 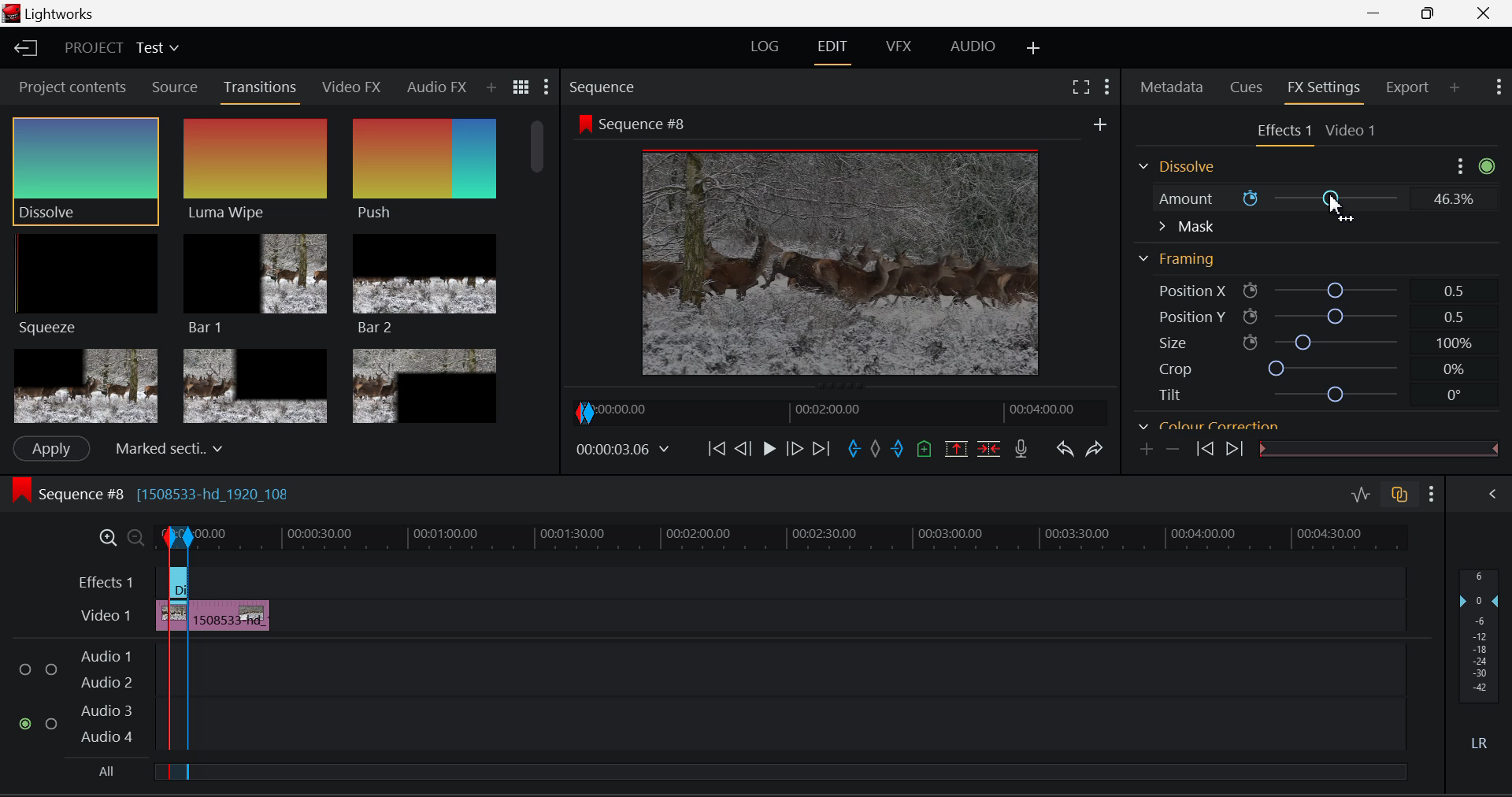 I want to click on Framing Section, so click(x=1178, y=260).